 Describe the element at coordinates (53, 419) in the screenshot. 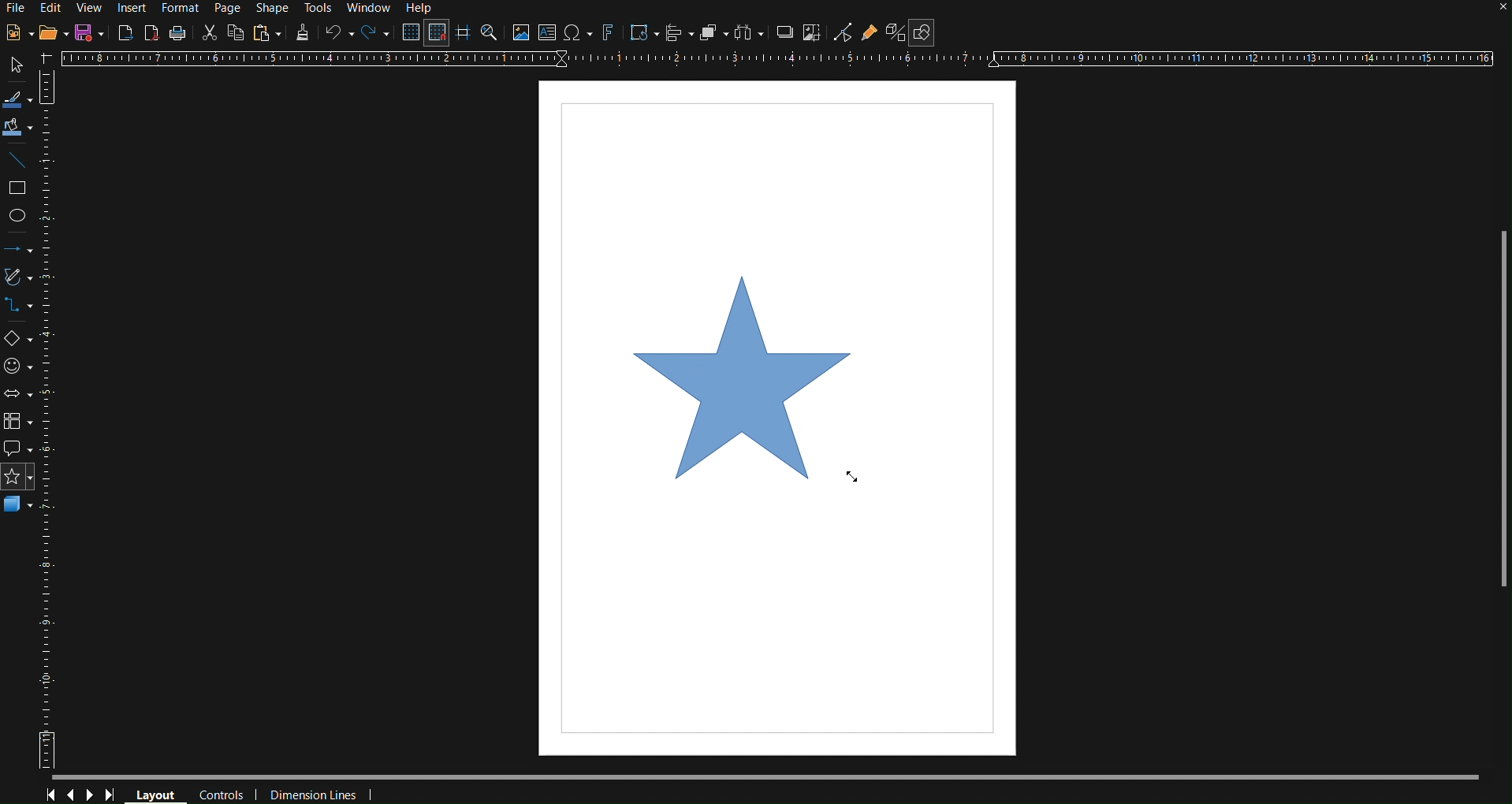

I see `Vertical Ruler` at that location.